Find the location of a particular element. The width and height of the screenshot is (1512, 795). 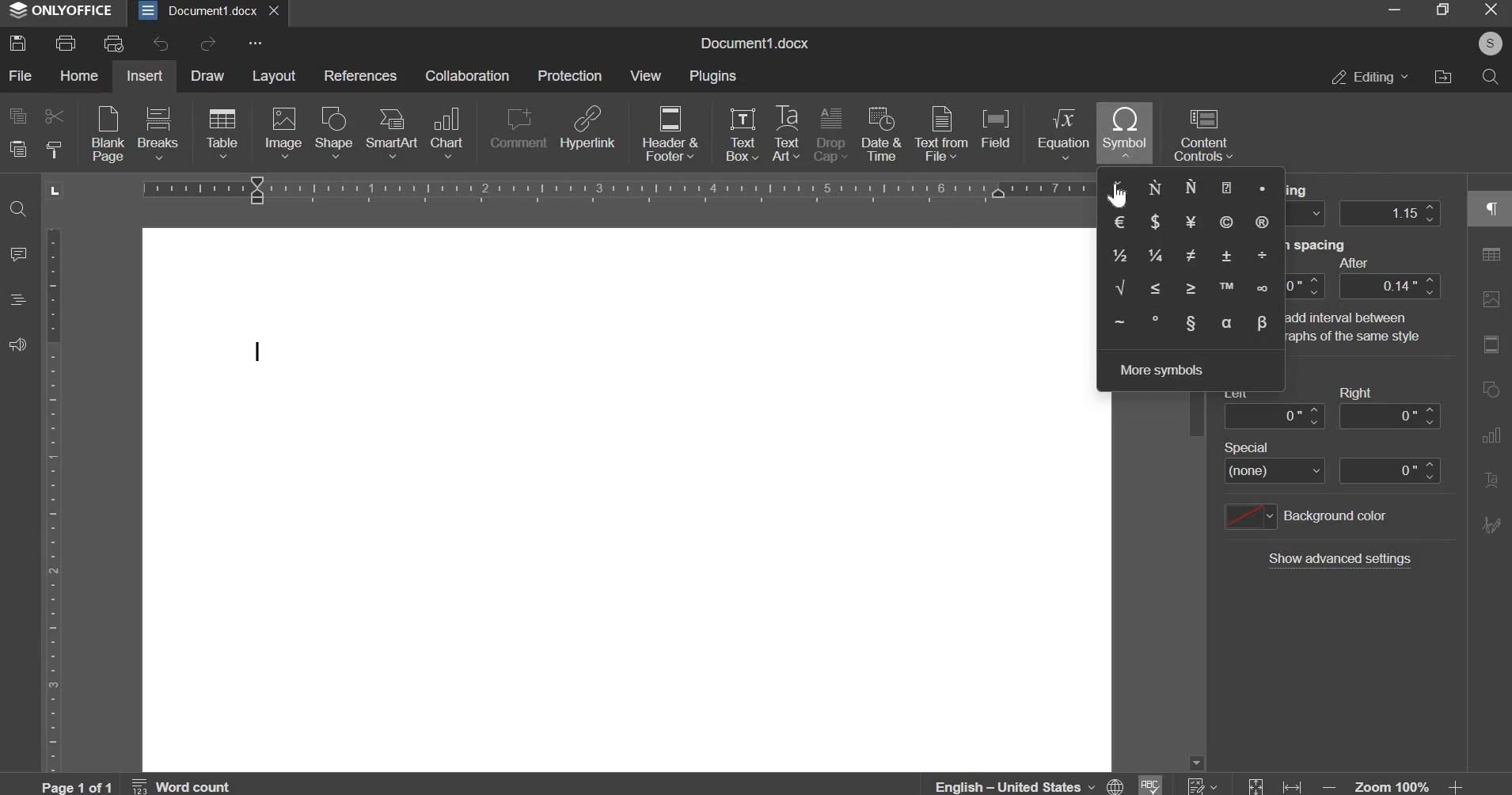

word count is located at coordinates (183, 785).